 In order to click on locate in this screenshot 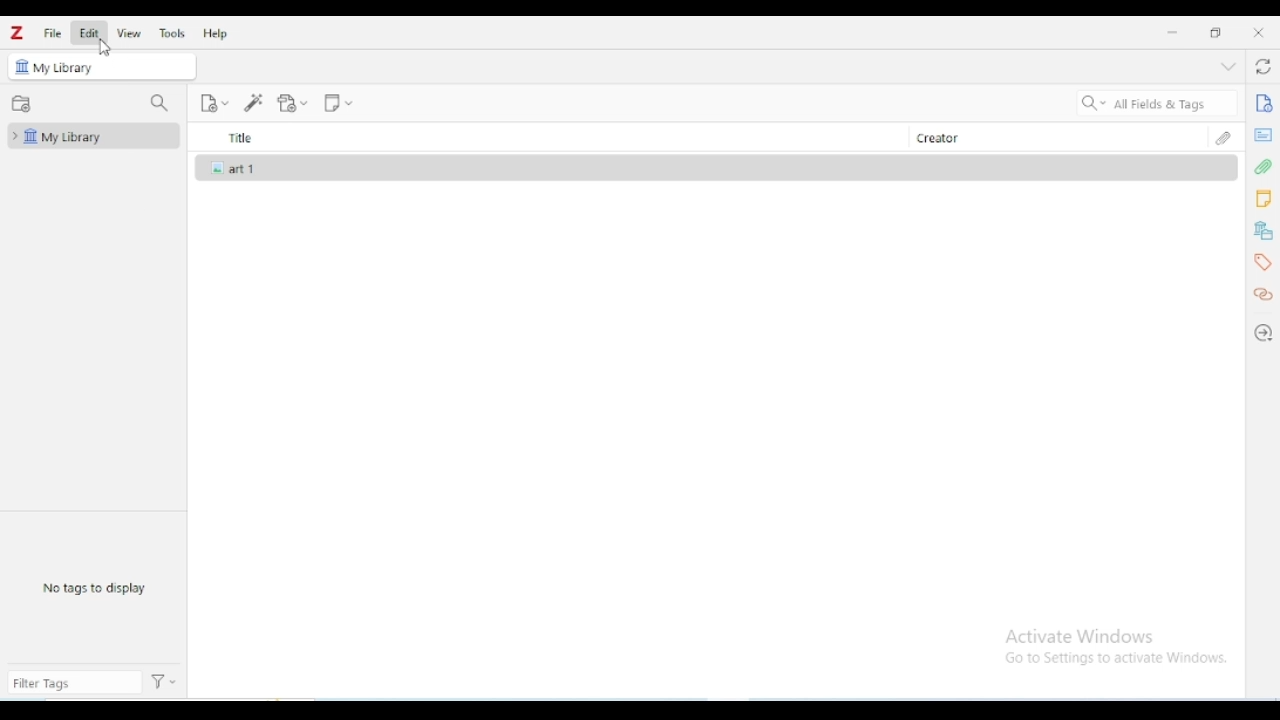, I will do `click(1264, 333)`.